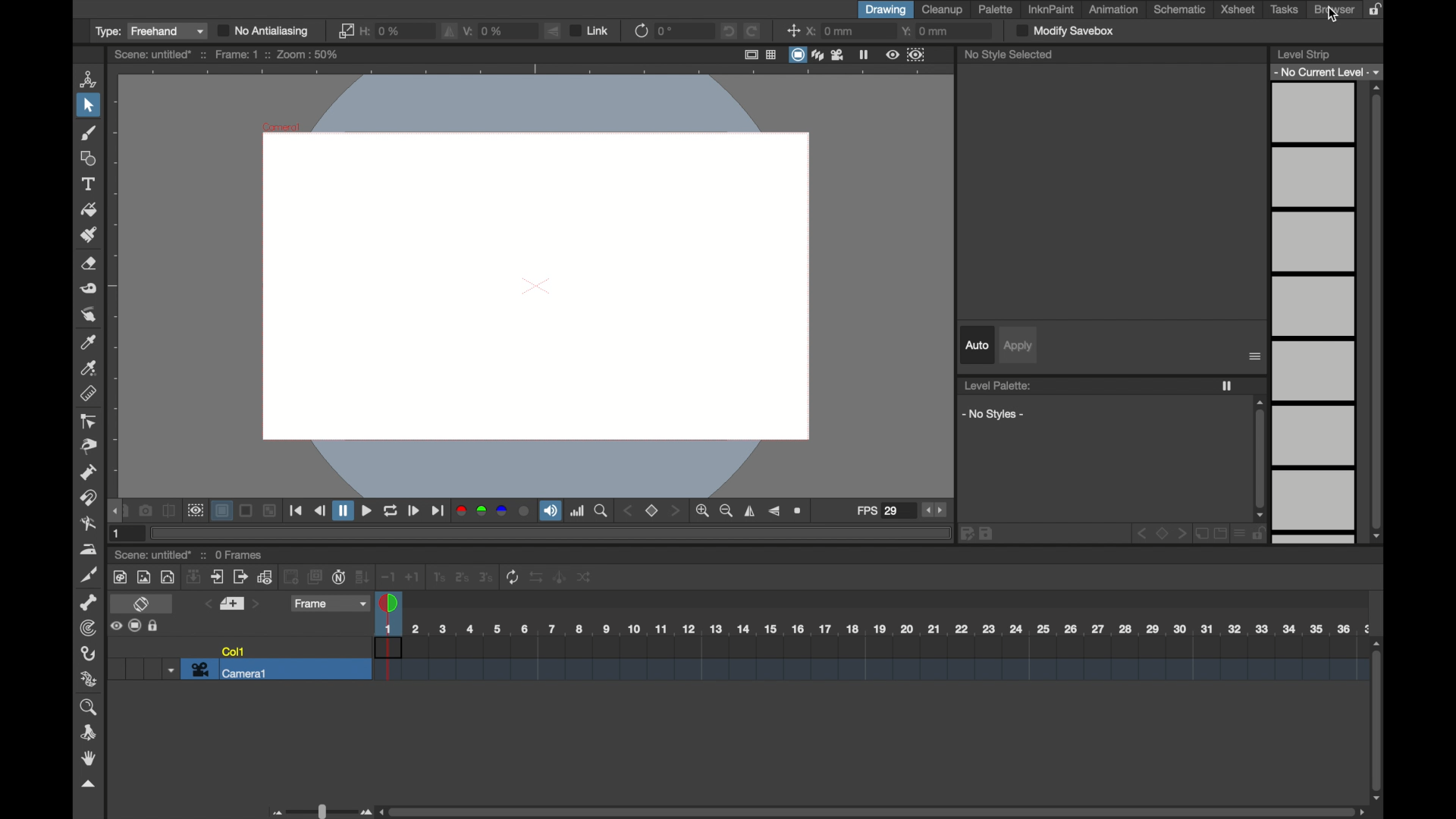 The height and width of the screenshot is (819, 1456). Describe the element at coordinates (1220, 534) in the screenshot. I see `screen` at that location.